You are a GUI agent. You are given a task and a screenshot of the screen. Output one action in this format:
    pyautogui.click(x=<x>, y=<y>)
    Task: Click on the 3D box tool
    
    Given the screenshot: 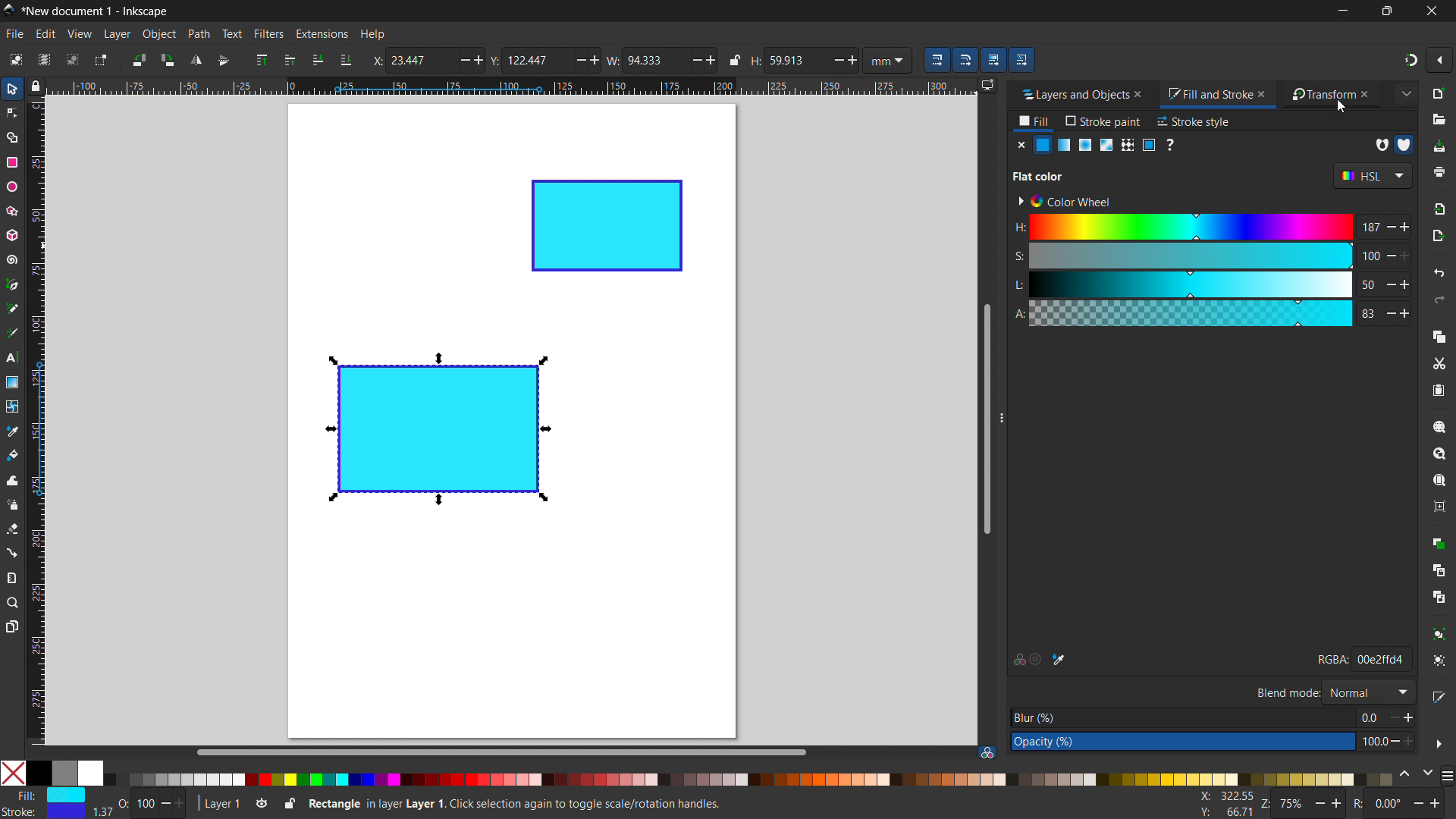 What is the action you would take?
    pyautogui.click(x=11, y=234)
    